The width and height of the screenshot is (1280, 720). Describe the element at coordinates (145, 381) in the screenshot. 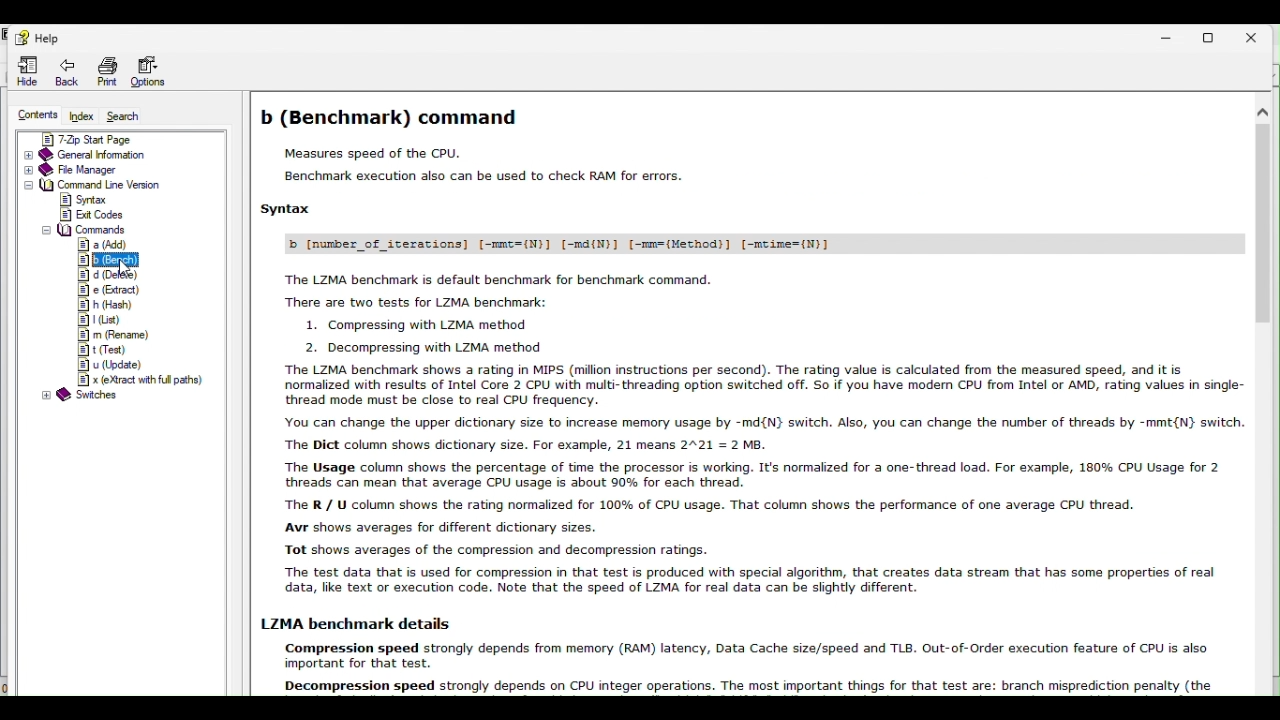

I see `x` at that location.